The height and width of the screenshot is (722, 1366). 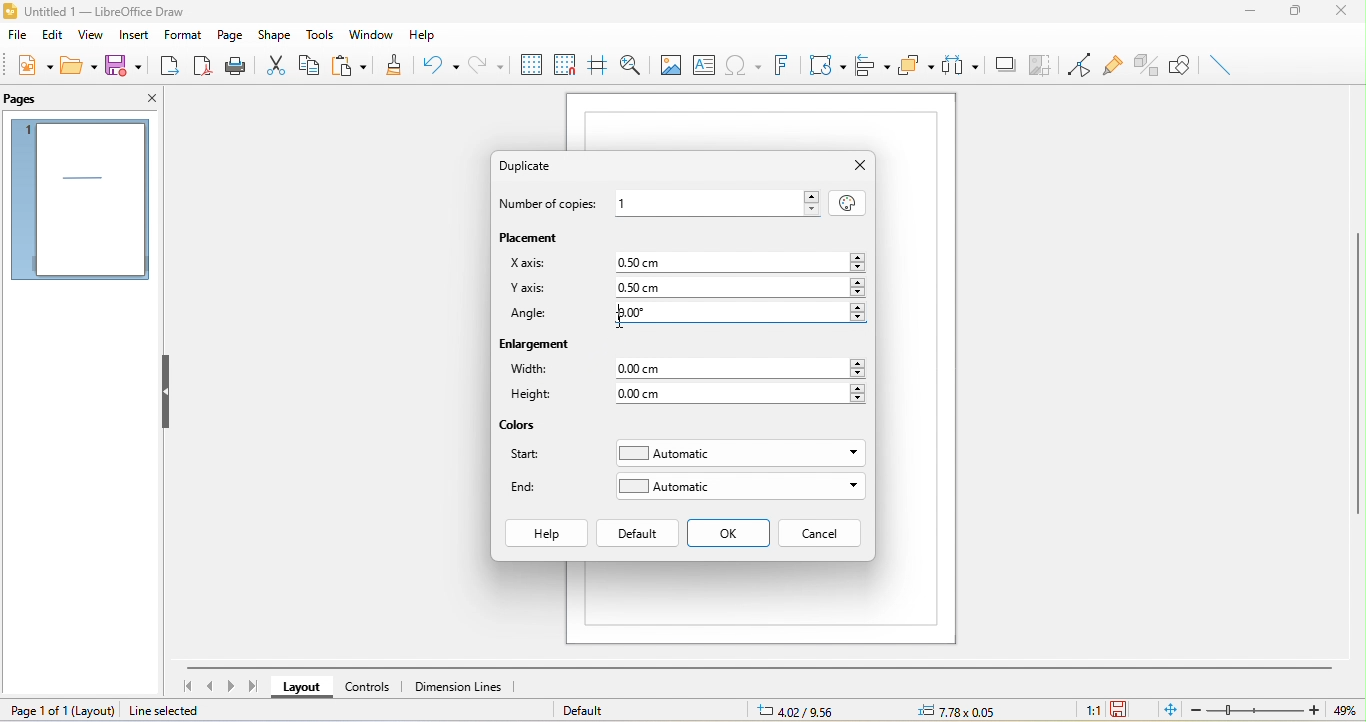 What do you see at coordinates (1087, 711) in the screenshot?
I see `1:1` at bounding box center [1087, 711].